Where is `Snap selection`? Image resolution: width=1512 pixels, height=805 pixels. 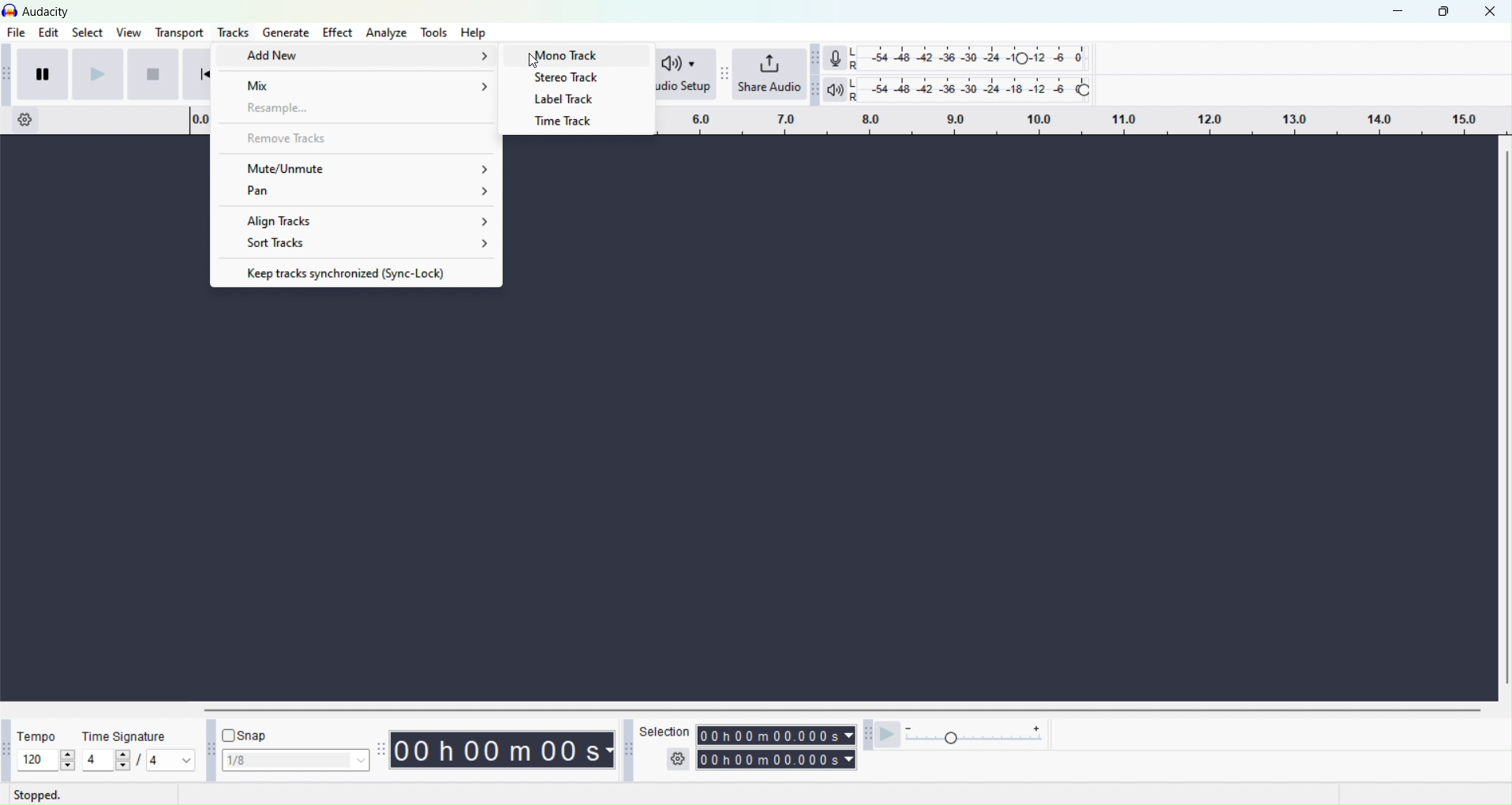
Snap selection is located at coordinates (294, 761).